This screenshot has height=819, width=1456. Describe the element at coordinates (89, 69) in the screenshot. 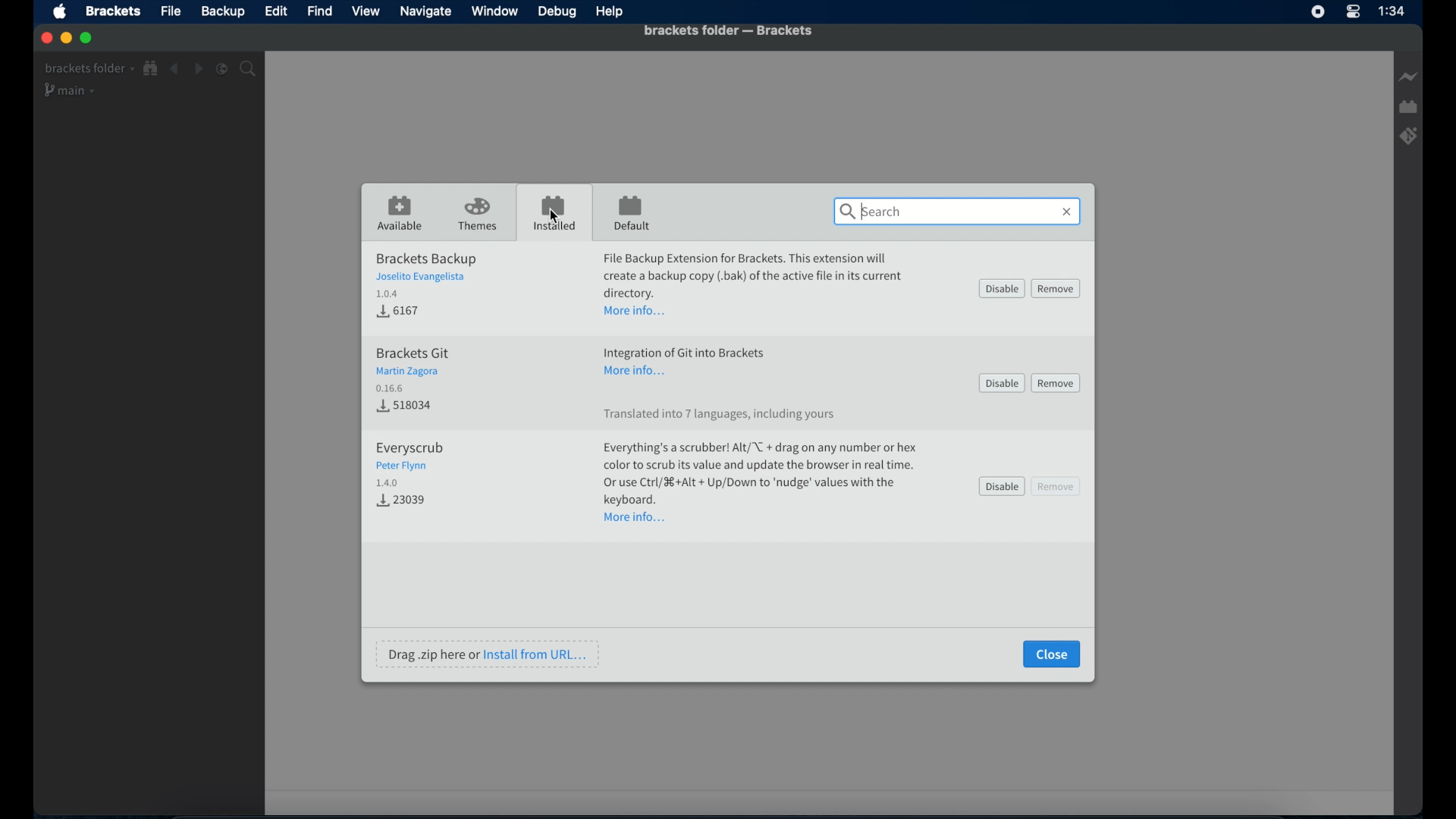

I see `Brackets folder` at that location.